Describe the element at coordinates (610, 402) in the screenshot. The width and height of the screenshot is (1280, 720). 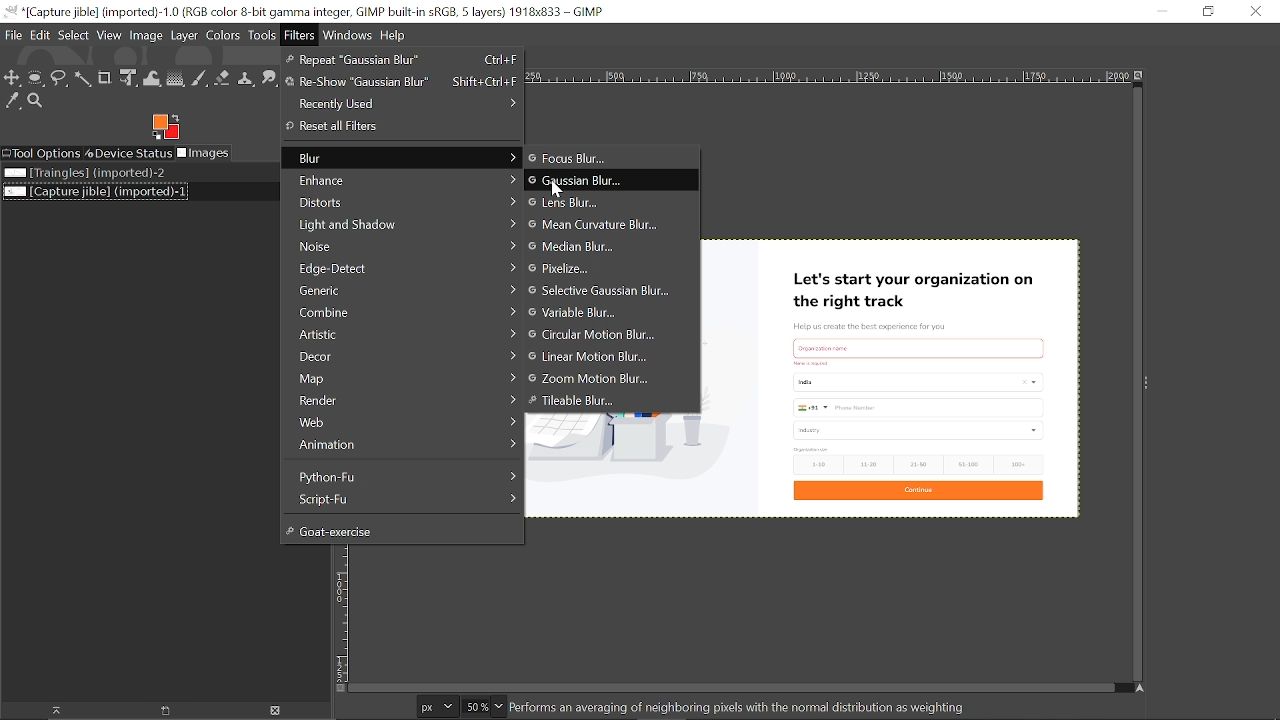
I see `Tileable blur` at that location.